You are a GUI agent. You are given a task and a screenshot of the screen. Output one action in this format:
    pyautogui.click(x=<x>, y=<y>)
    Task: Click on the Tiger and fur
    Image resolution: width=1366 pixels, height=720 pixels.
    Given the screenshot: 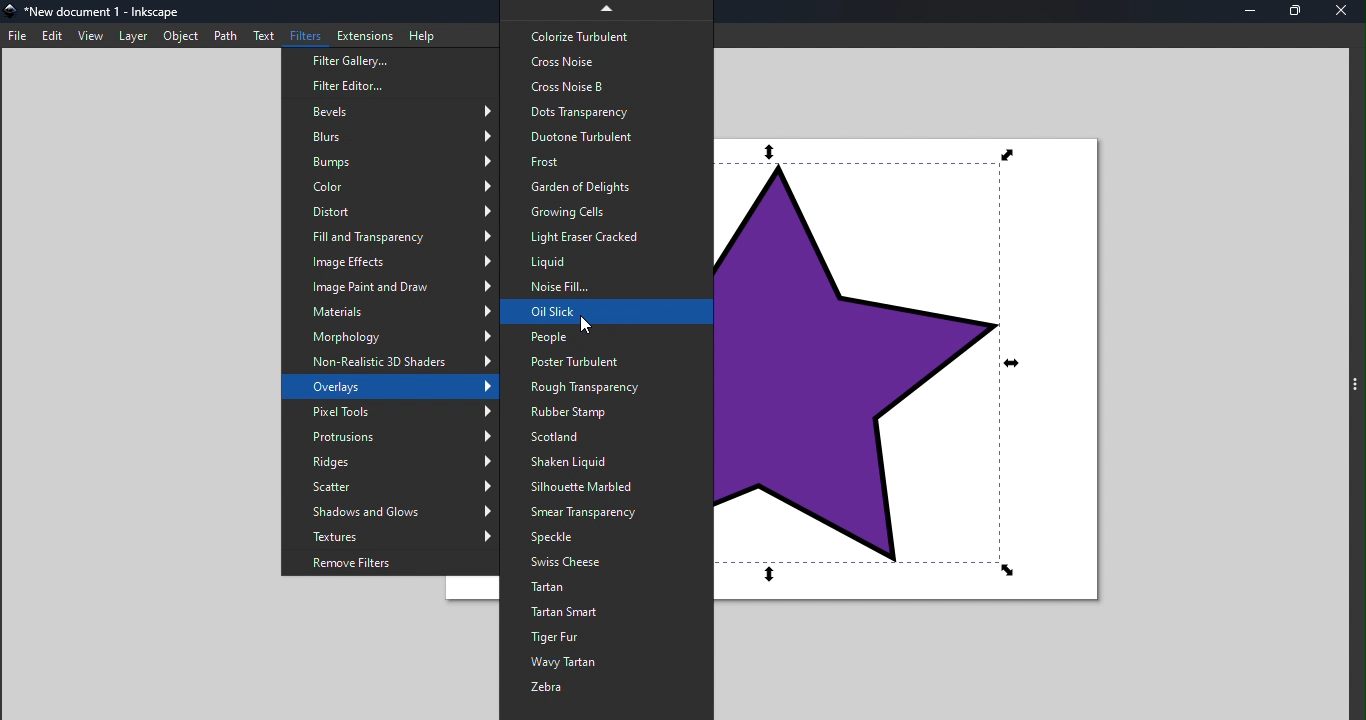 What is the action you would take?
    pyautogui.click(x=608, y=639)
    